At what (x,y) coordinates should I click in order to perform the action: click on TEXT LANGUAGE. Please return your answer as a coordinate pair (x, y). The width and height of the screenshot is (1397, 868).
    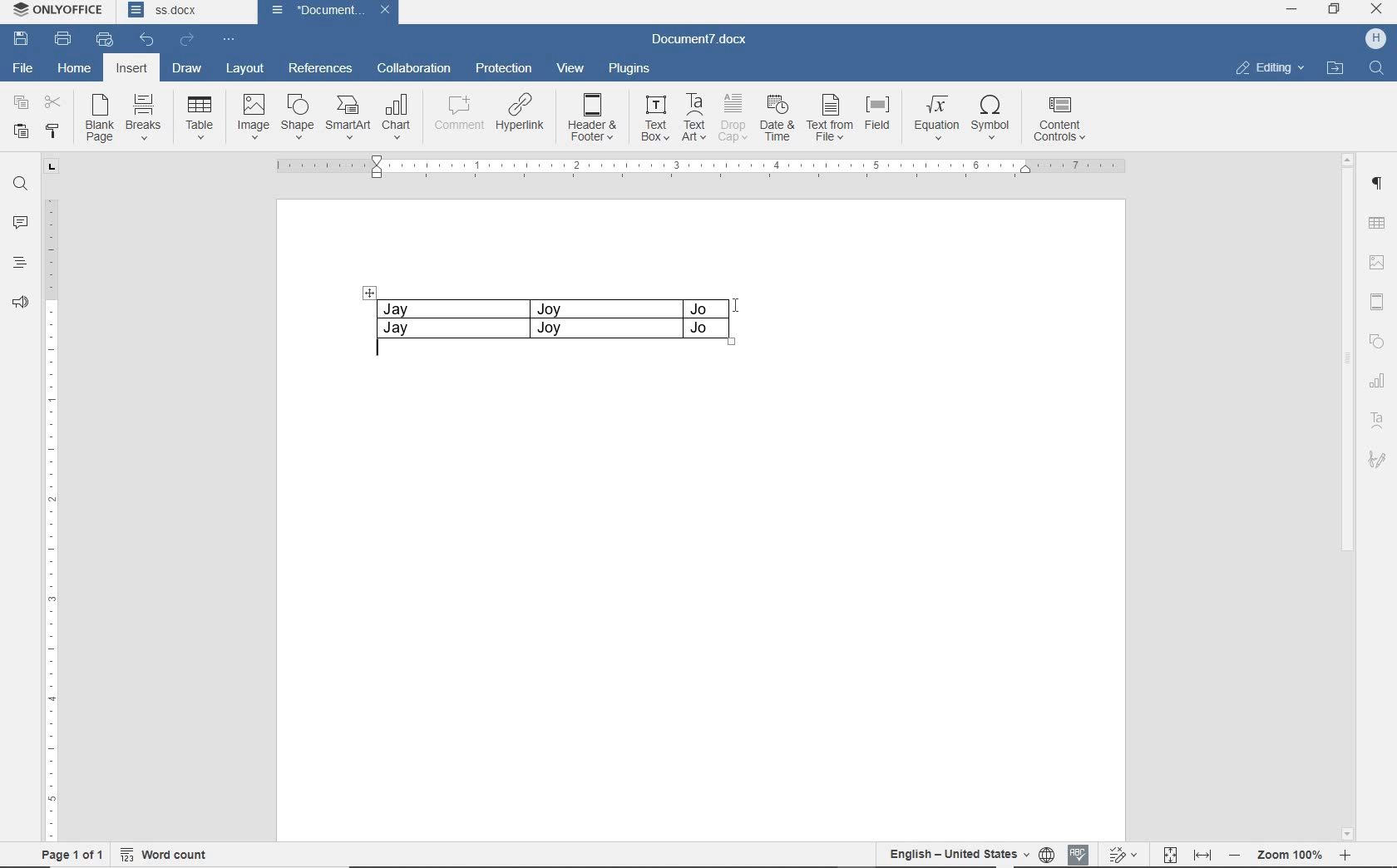
    Looking at the image, I should click on (956, 854).